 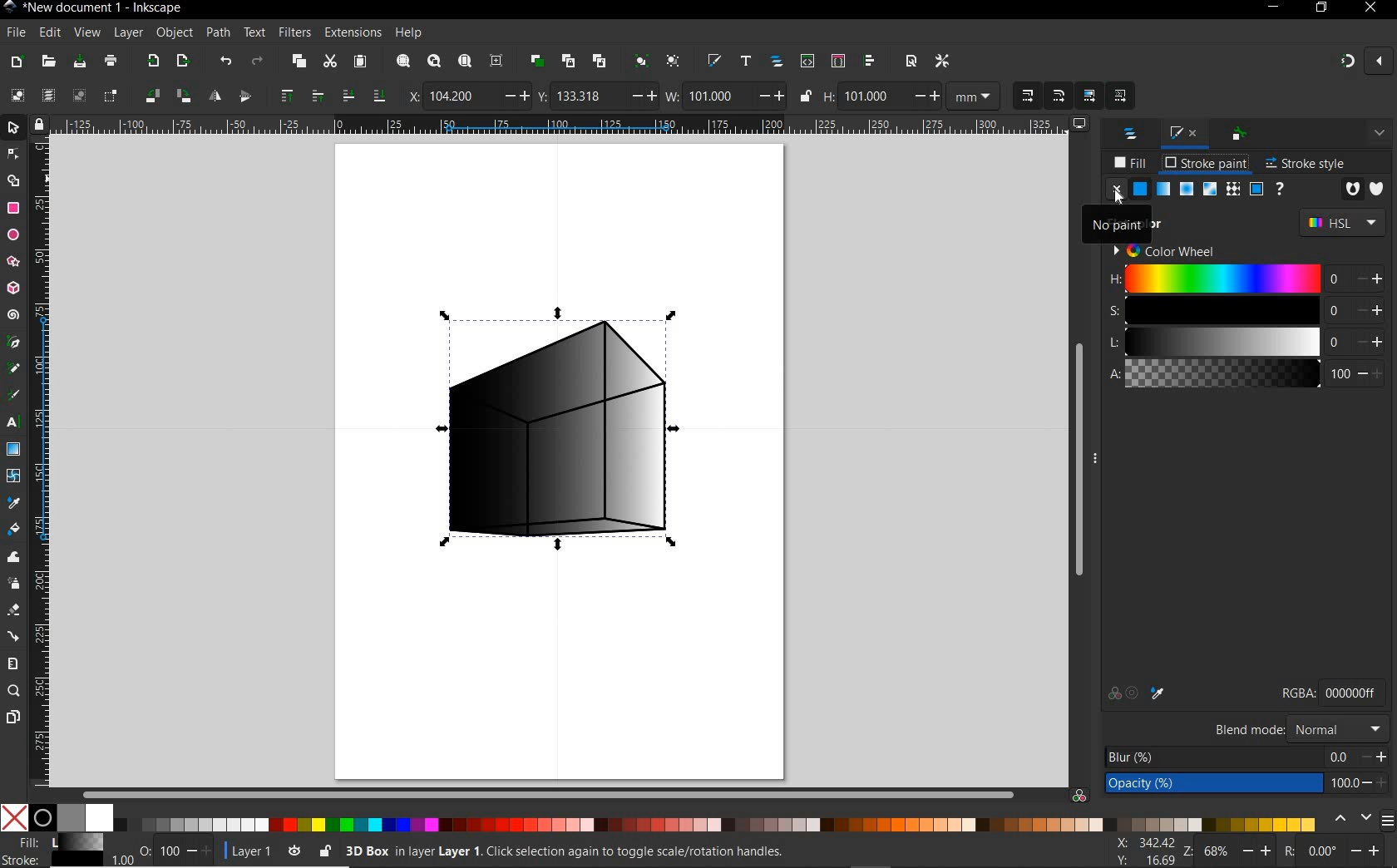 What do you see at coordinates (78, 96) in the screenshot?
I see `DESELECT ANY SELECTED OBJECT` at bounding box center [78, 96].